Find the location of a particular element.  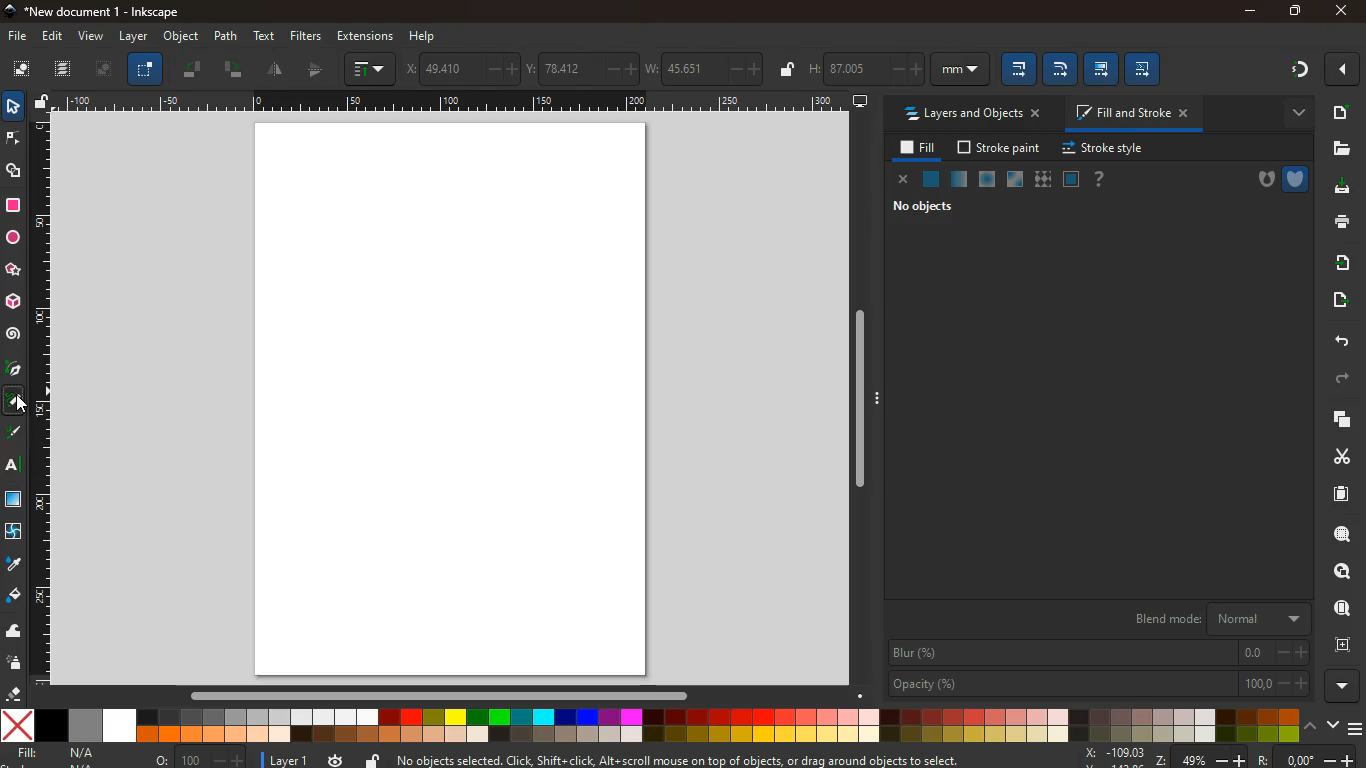

blend mode is located at coordinates (1218, 616).